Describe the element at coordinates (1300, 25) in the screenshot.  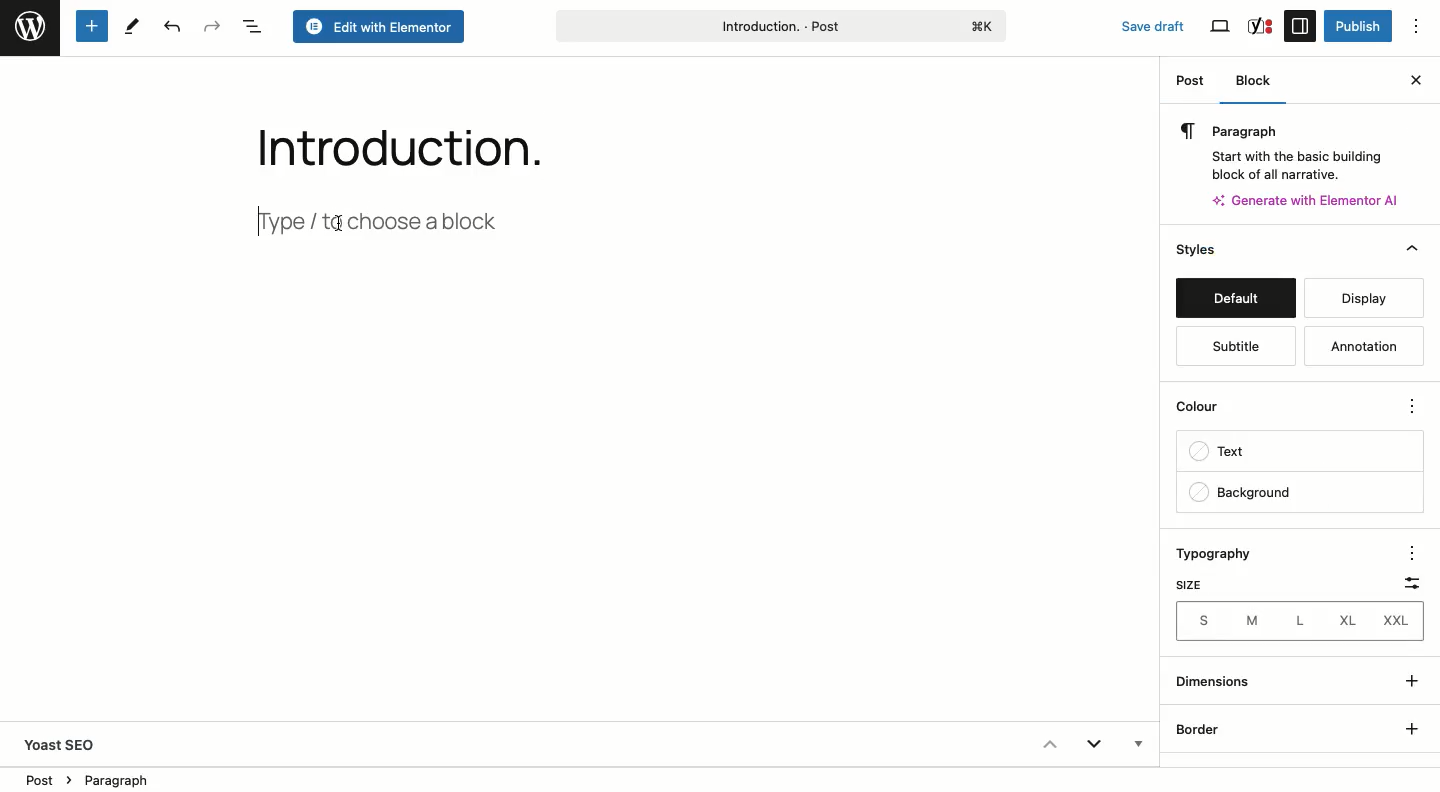
I see `Sidebar` at that location.